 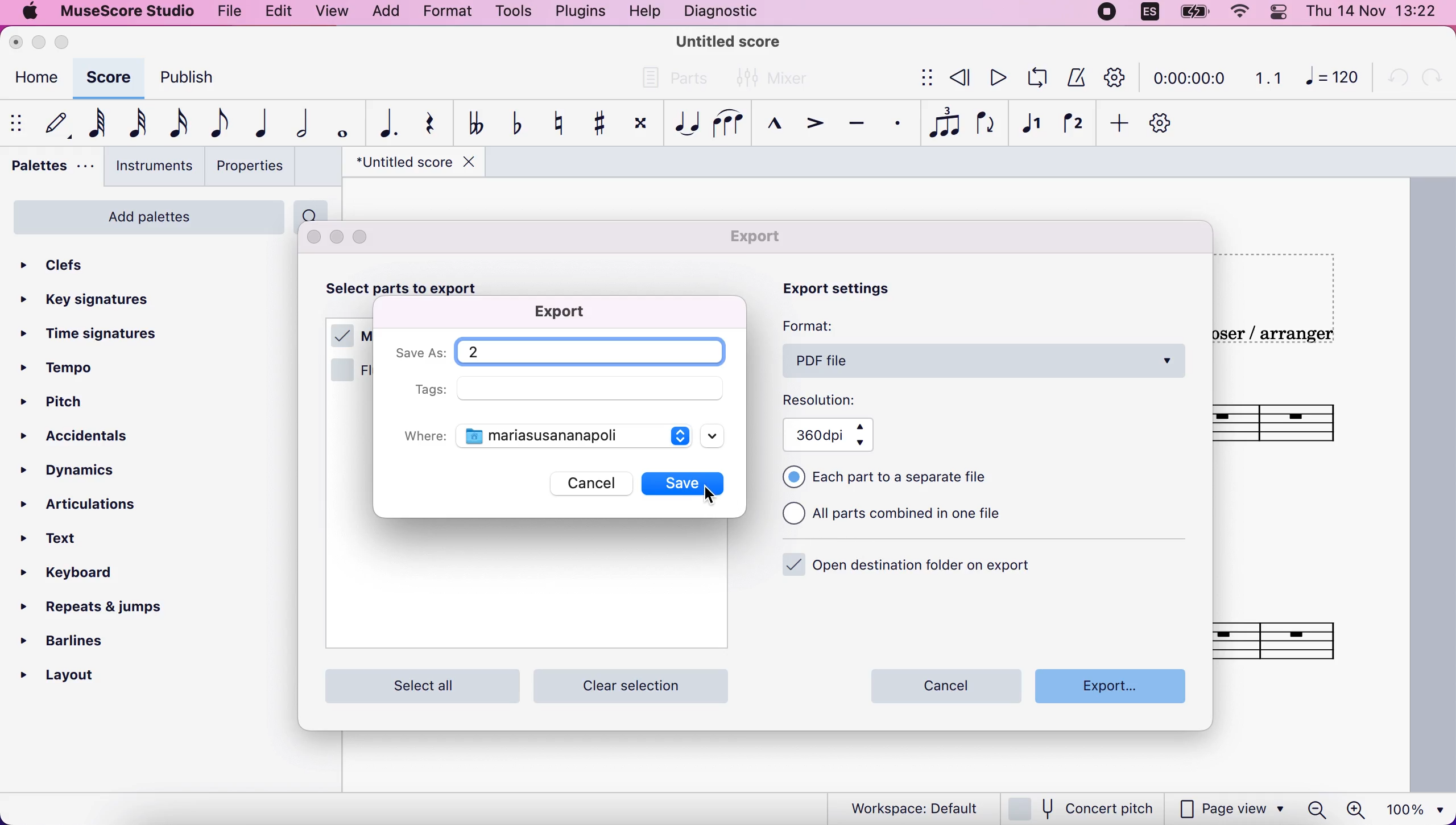 What do you see at coordinates (729, 40) in the screenshot?
I see `title` at bounding box center [729, 40].